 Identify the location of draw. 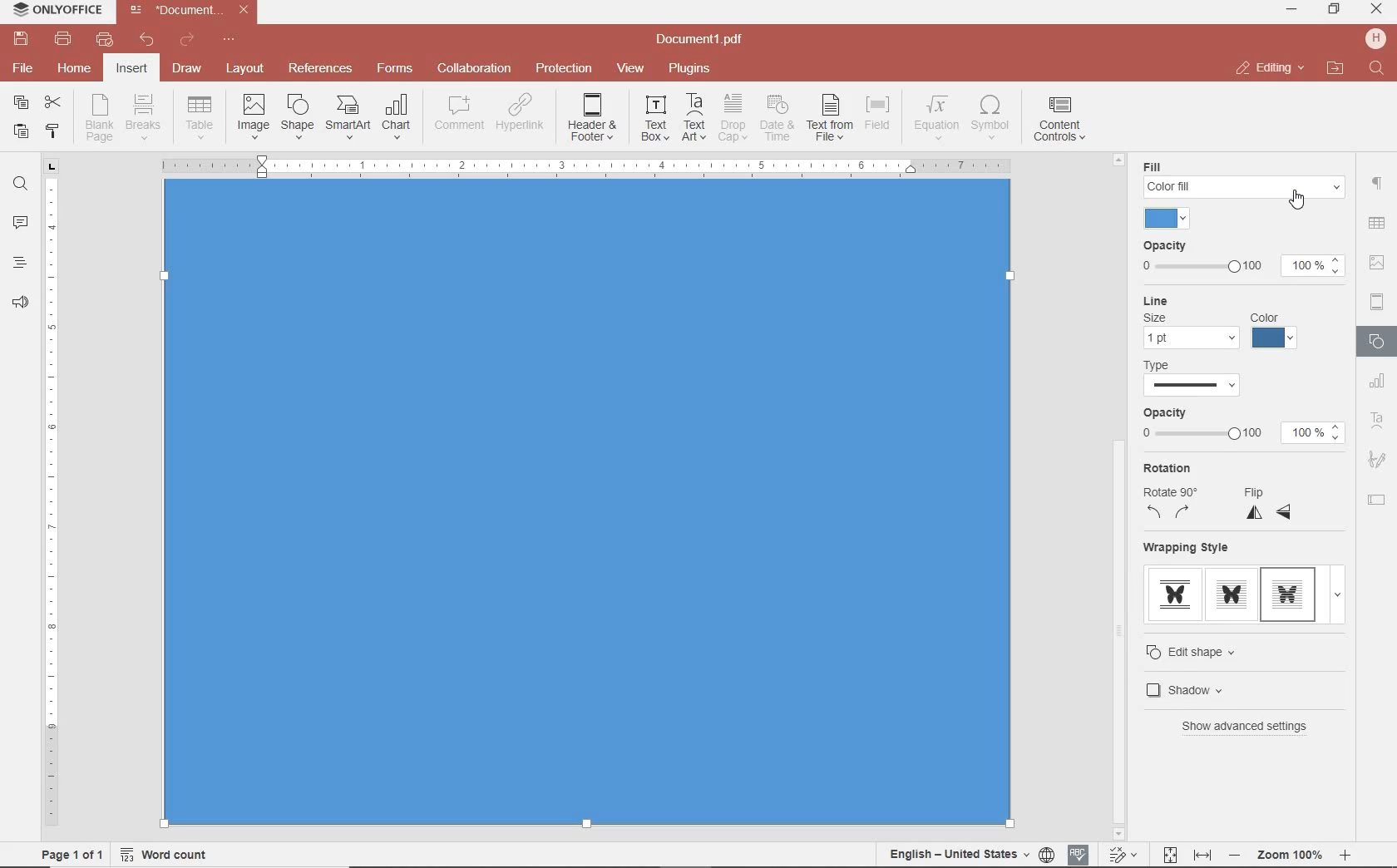
(188, 67).